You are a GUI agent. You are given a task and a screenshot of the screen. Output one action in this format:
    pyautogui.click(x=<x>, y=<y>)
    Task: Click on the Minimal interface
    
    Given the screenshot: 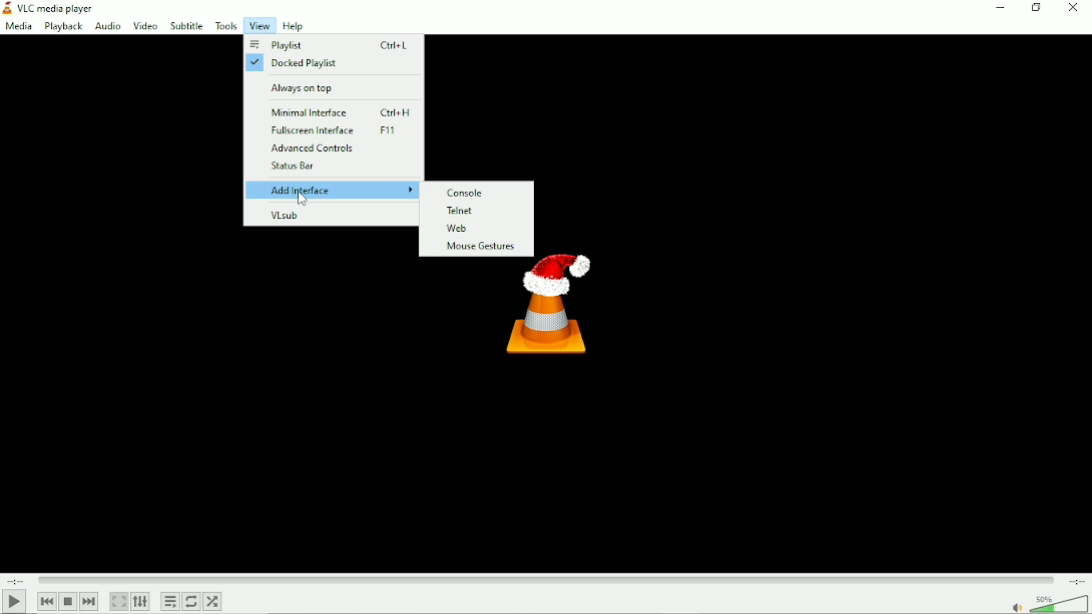 What is the action you would take?
    pyautogui.click(x=333, y=111)
    